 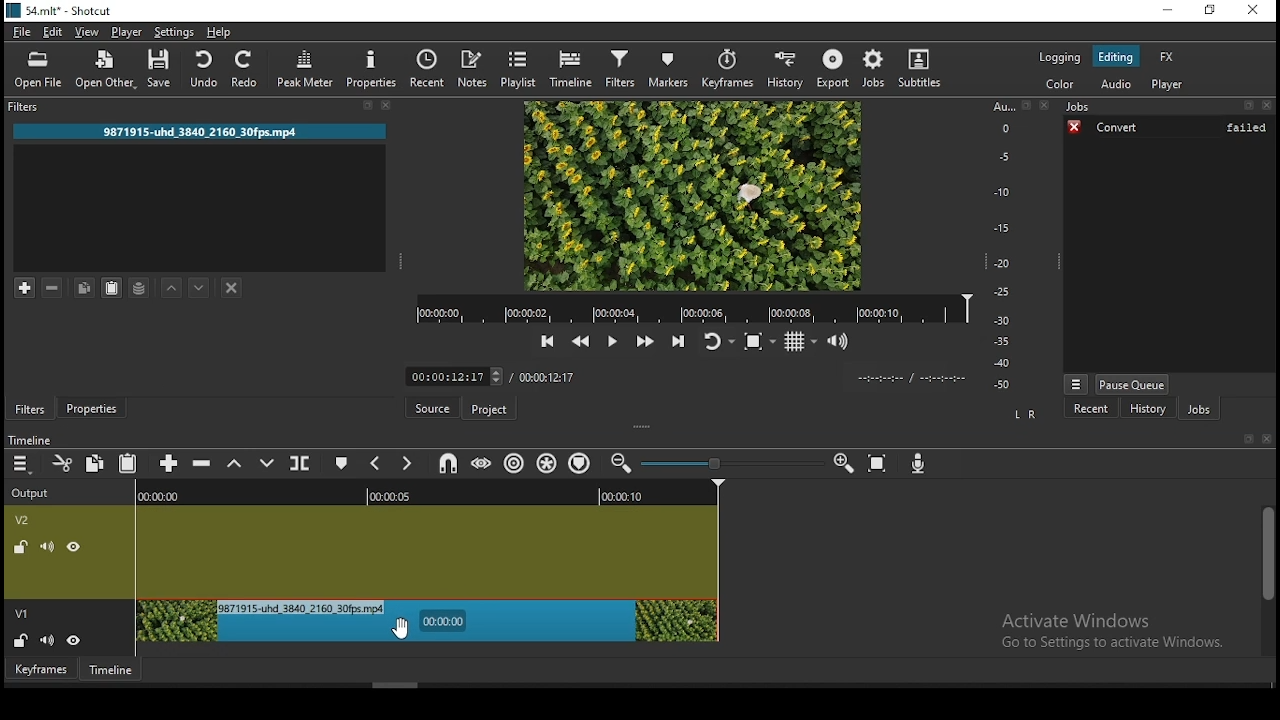 I want to click on history, so click(x=787, y=66).